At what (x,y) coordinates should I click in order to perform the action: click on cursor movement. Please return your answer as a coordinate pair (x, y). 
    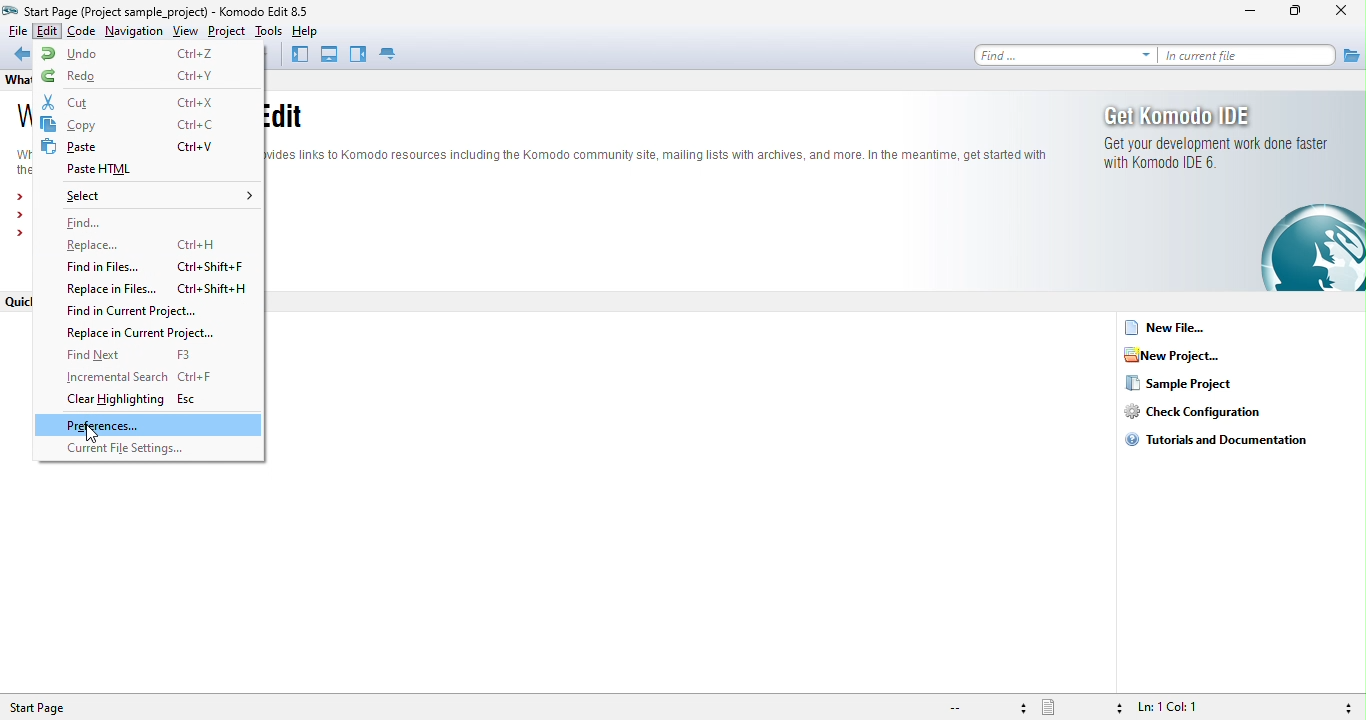
    Looking at the image, I should click on (92, 435).